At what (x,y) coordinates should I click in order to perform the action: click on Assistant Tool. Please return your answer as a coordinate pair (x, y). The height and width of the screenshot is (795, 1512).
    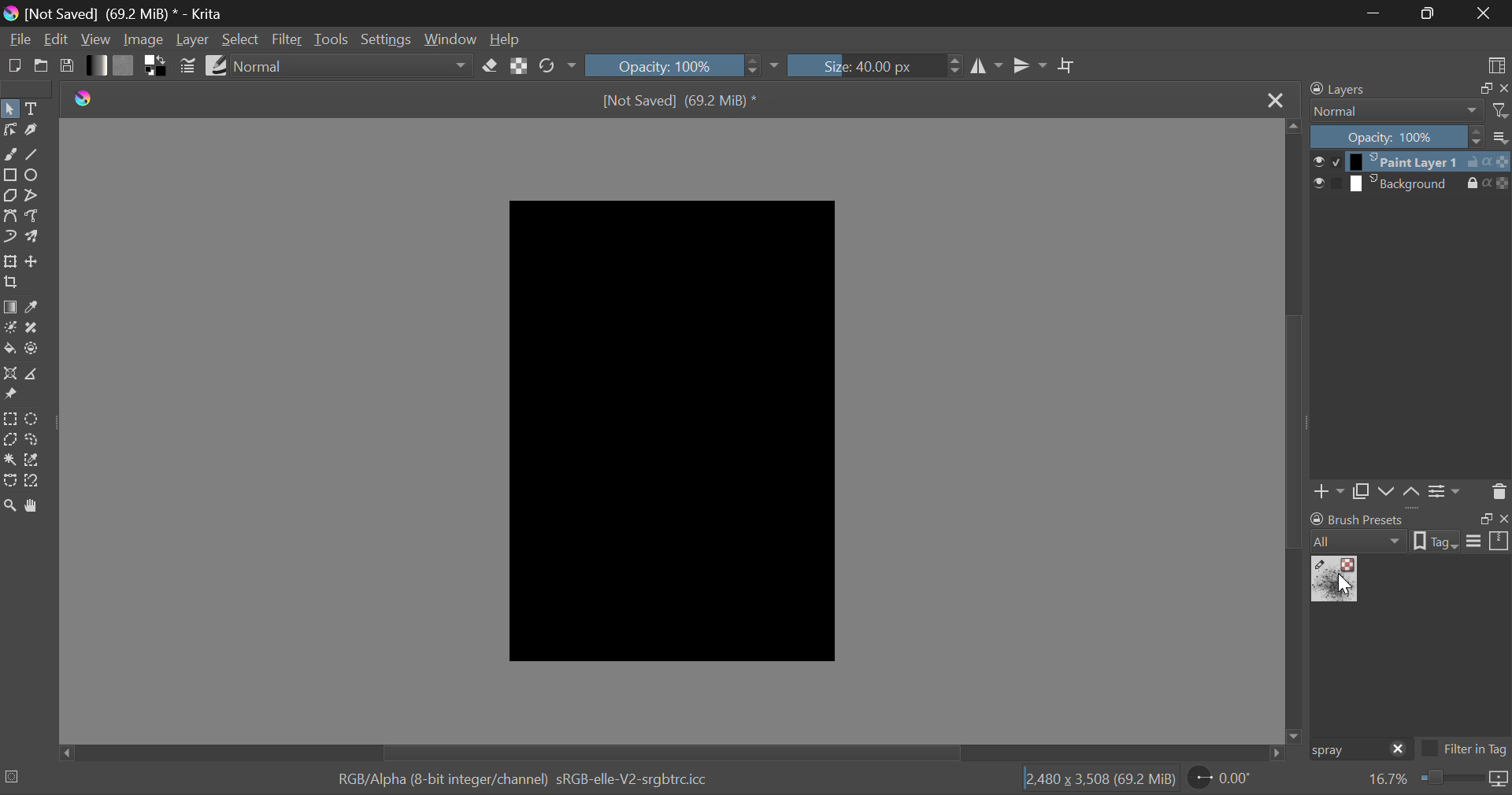
    Looking at the image, I should click on (9, 374).